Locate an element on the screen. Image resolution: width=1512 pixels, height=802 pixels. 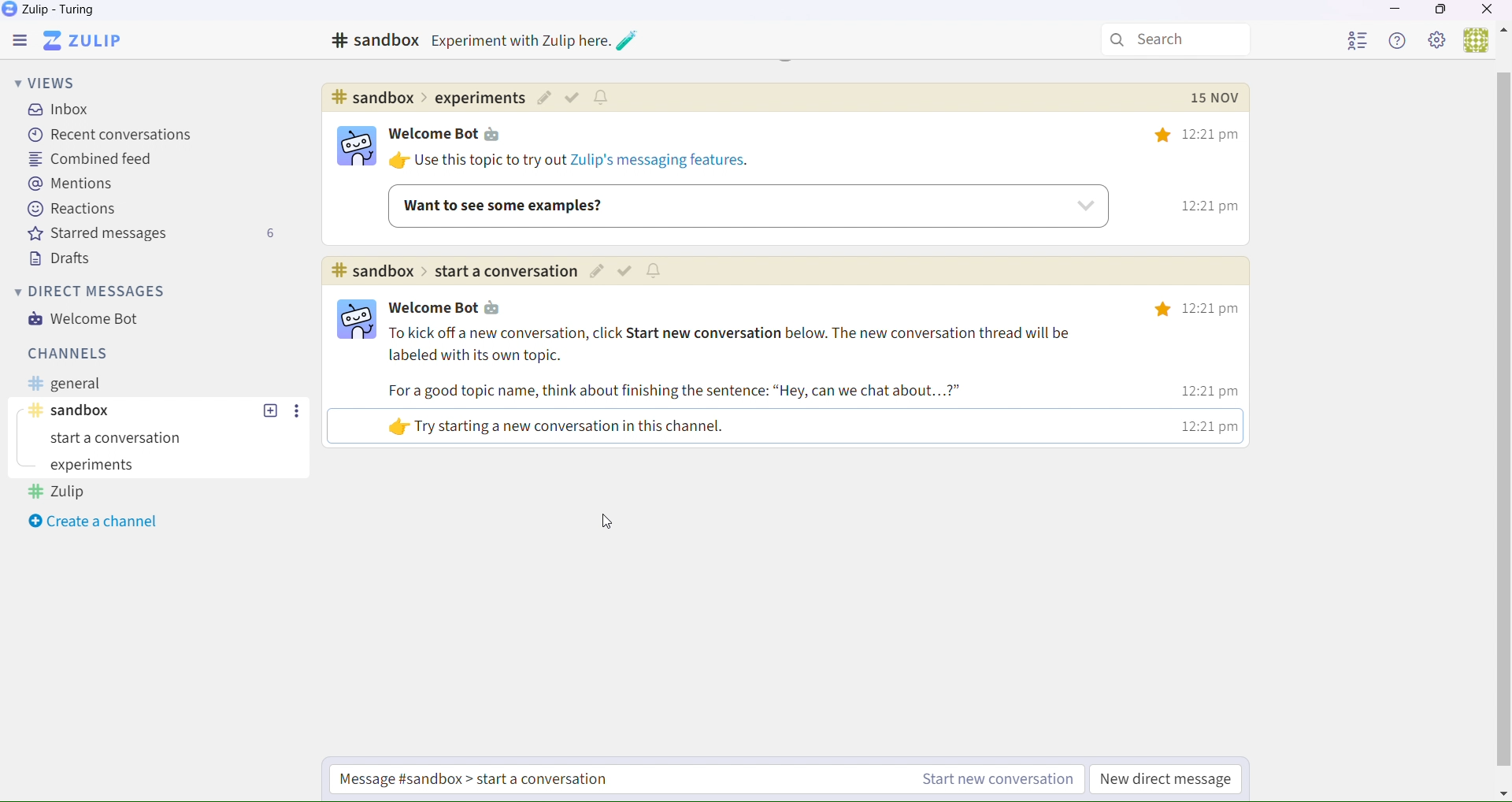
Mentions is located at coordinates (72, 185).